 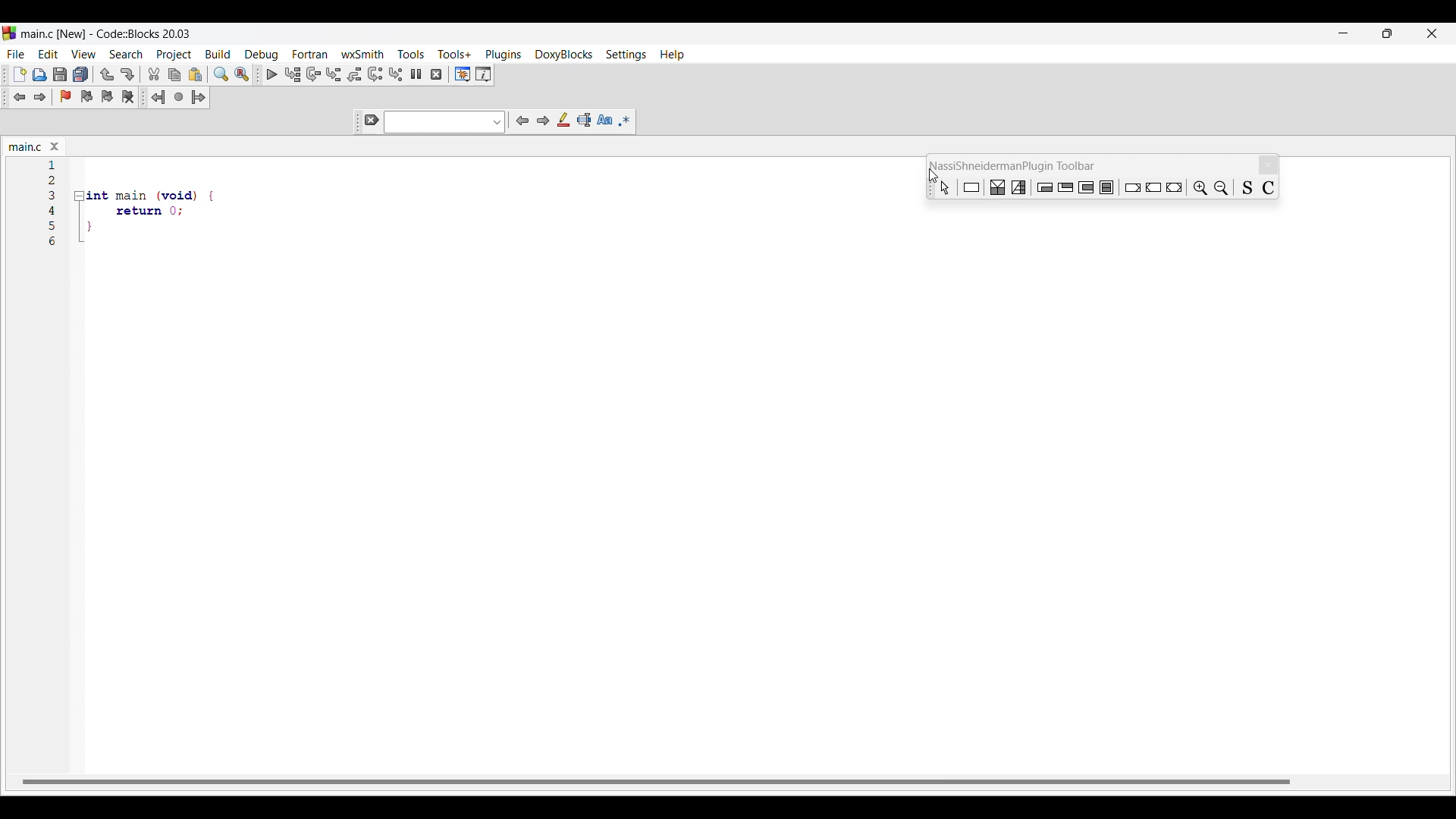 What do you see at coordinates (313, 74) in the screenshot?
I see `Next line` at bounding box center [313, 74].